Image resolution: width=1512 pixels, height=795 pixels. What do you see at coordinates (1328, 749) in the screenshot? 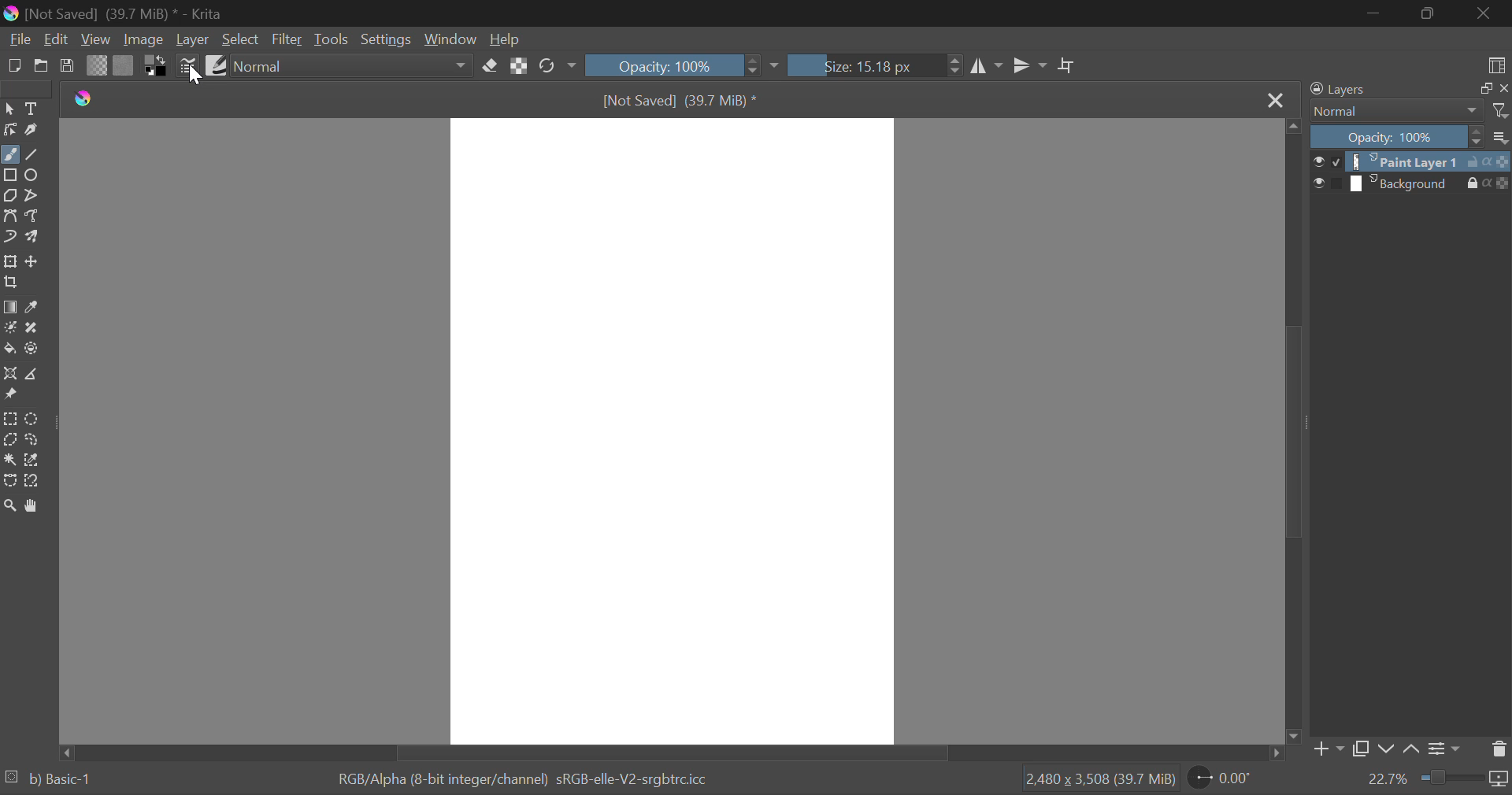
I see `Add Layer` at bounding box center [1328, 749].